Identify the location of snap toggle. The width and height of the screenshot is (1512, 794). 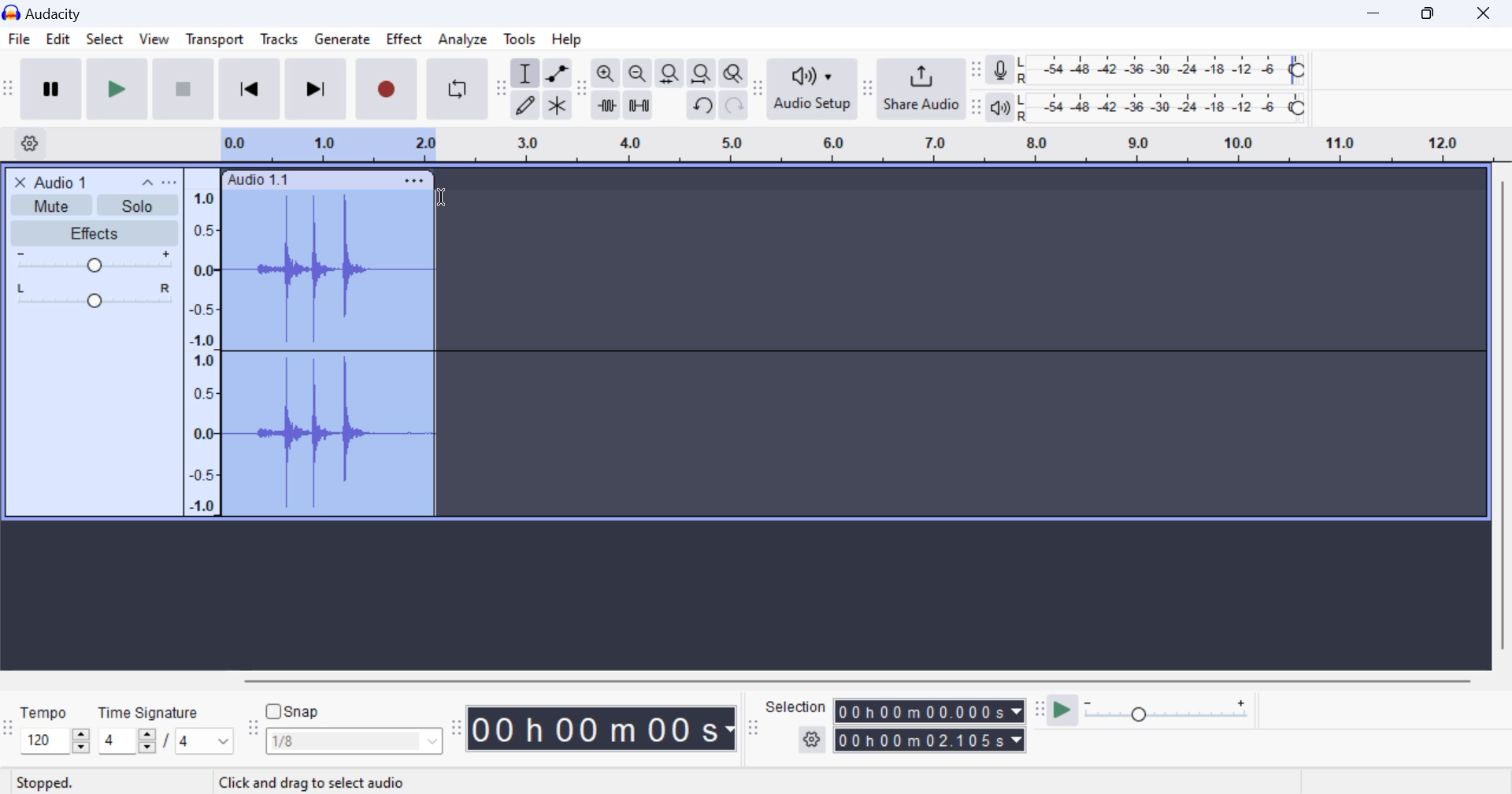
(301, 711).